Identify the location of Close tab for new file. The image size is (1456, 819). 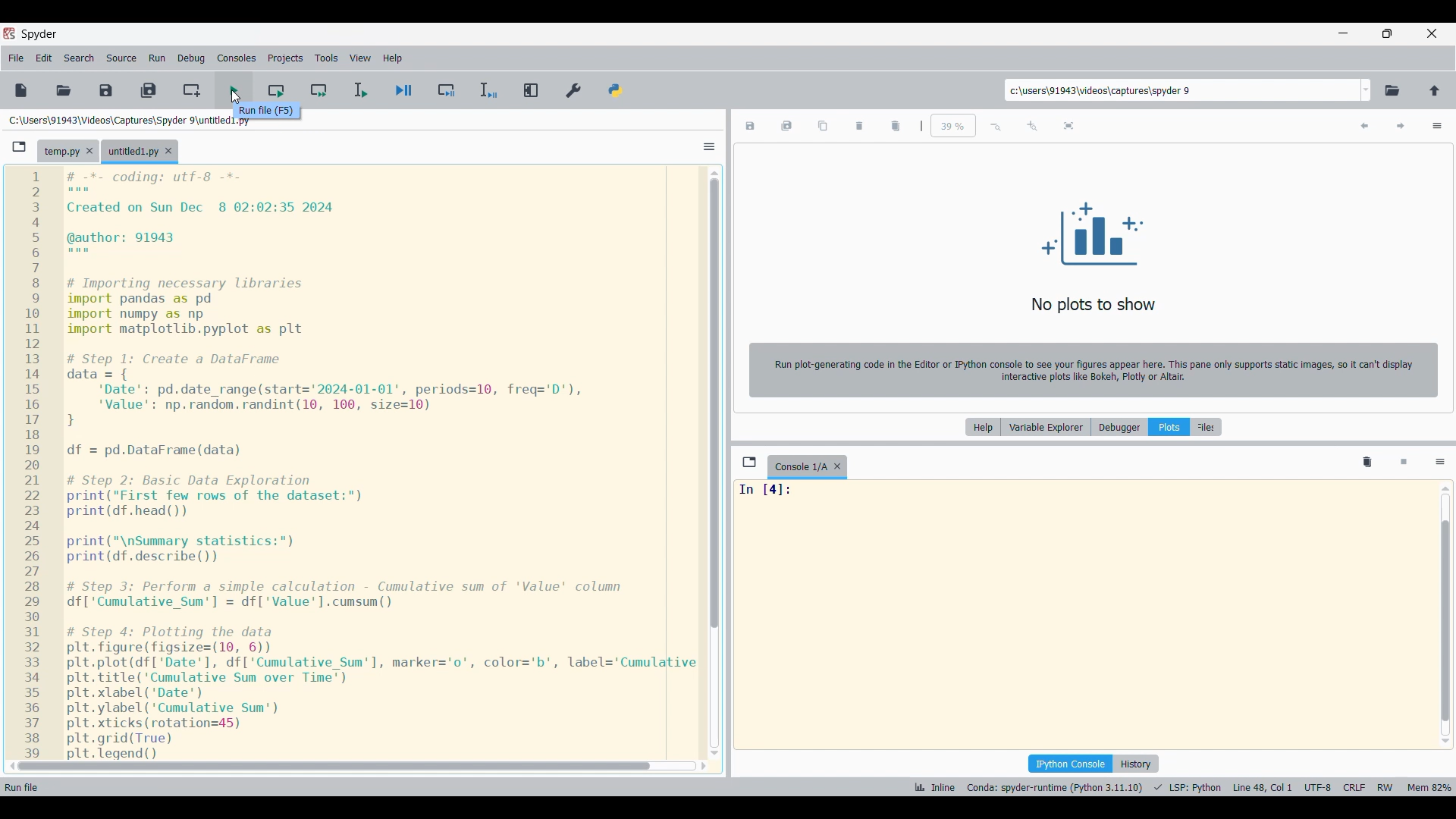
(168, 151).